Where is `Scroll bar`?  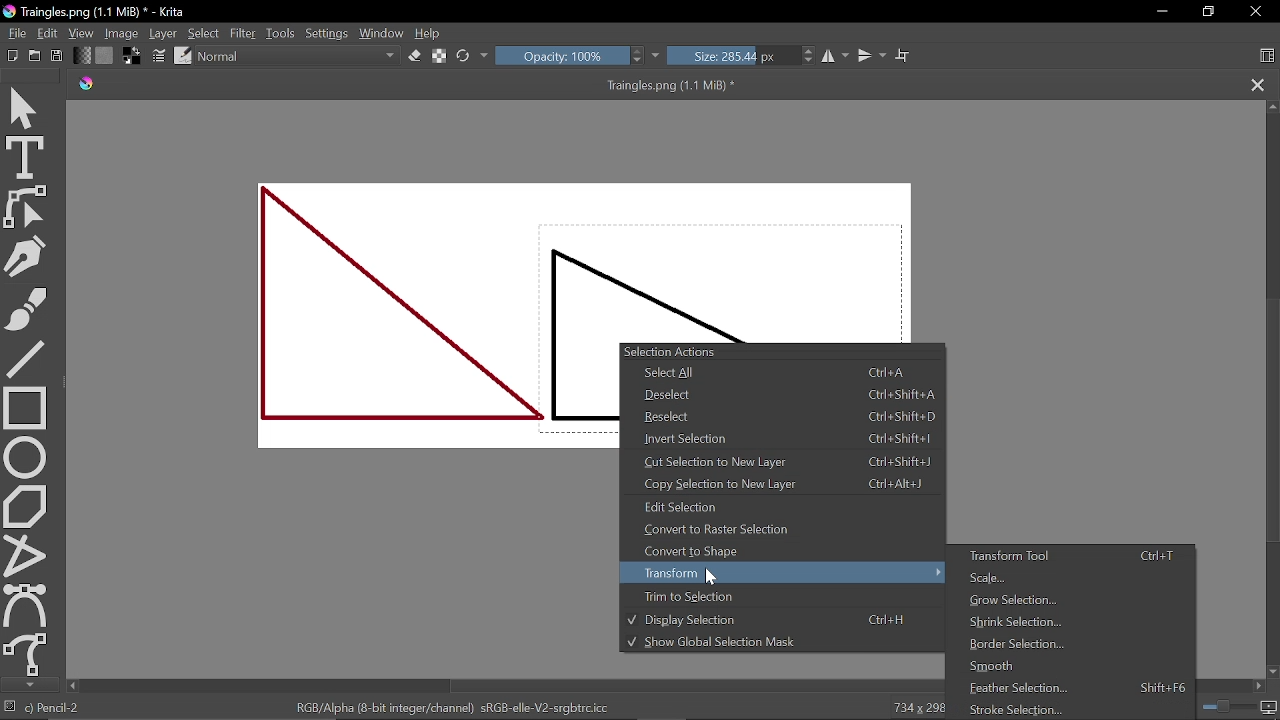
Scroll bar is located at coordinates (496, 686).